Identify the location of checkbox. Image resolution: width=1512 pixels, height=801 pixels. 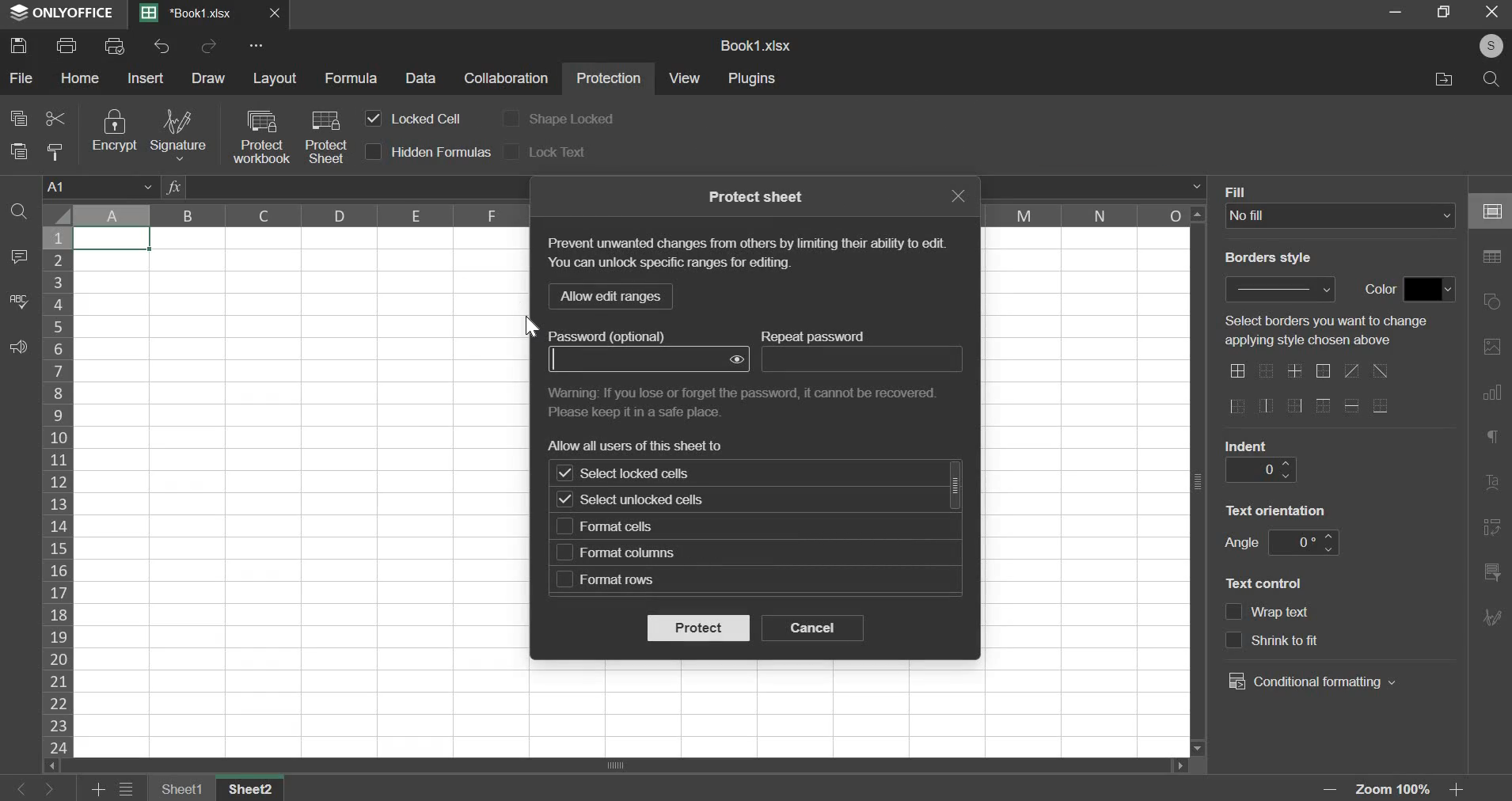
(564, 552).